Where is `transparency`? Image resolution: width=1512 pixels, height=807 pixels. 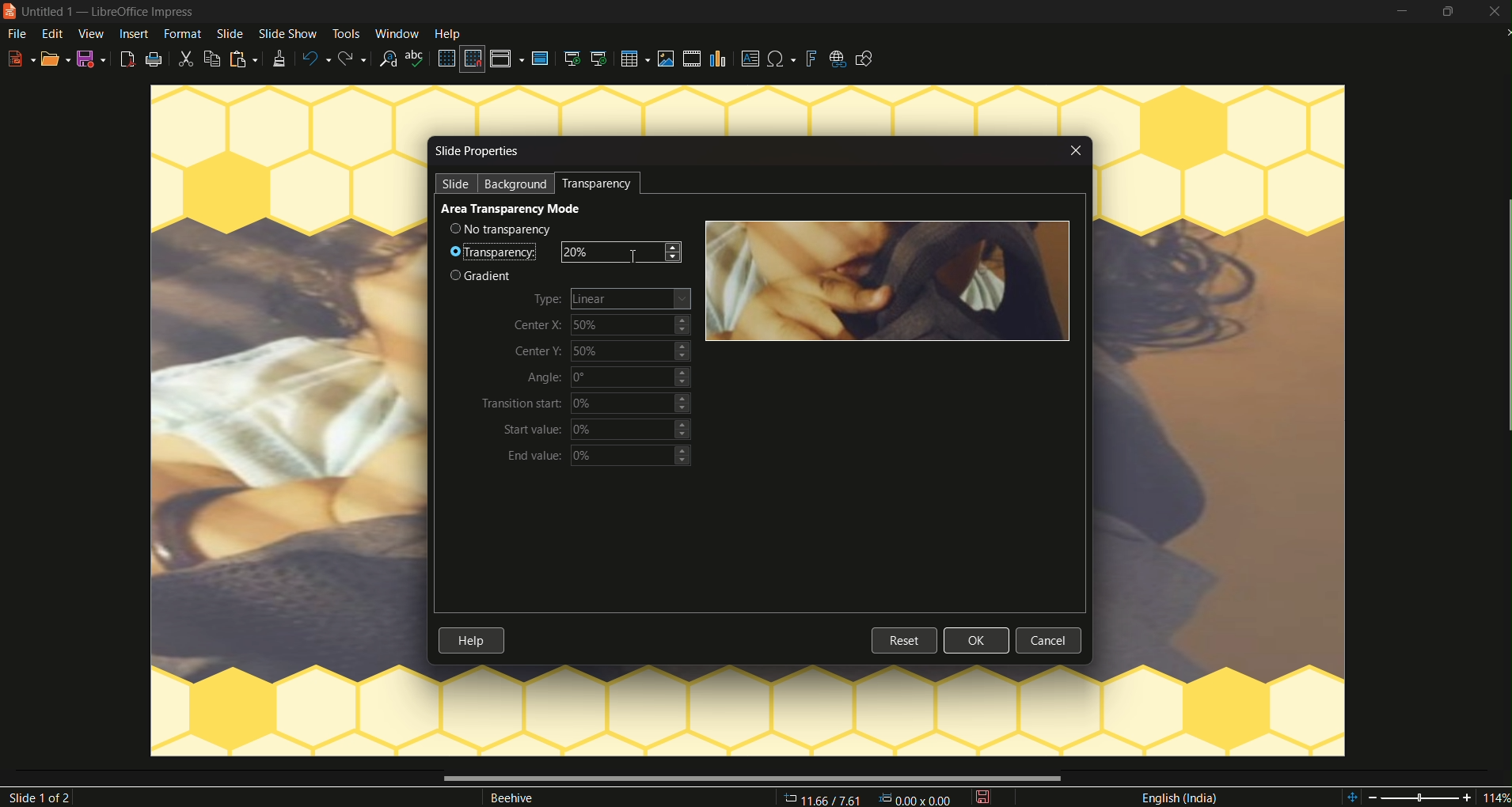 transparency is located at coordinates (601, 184).